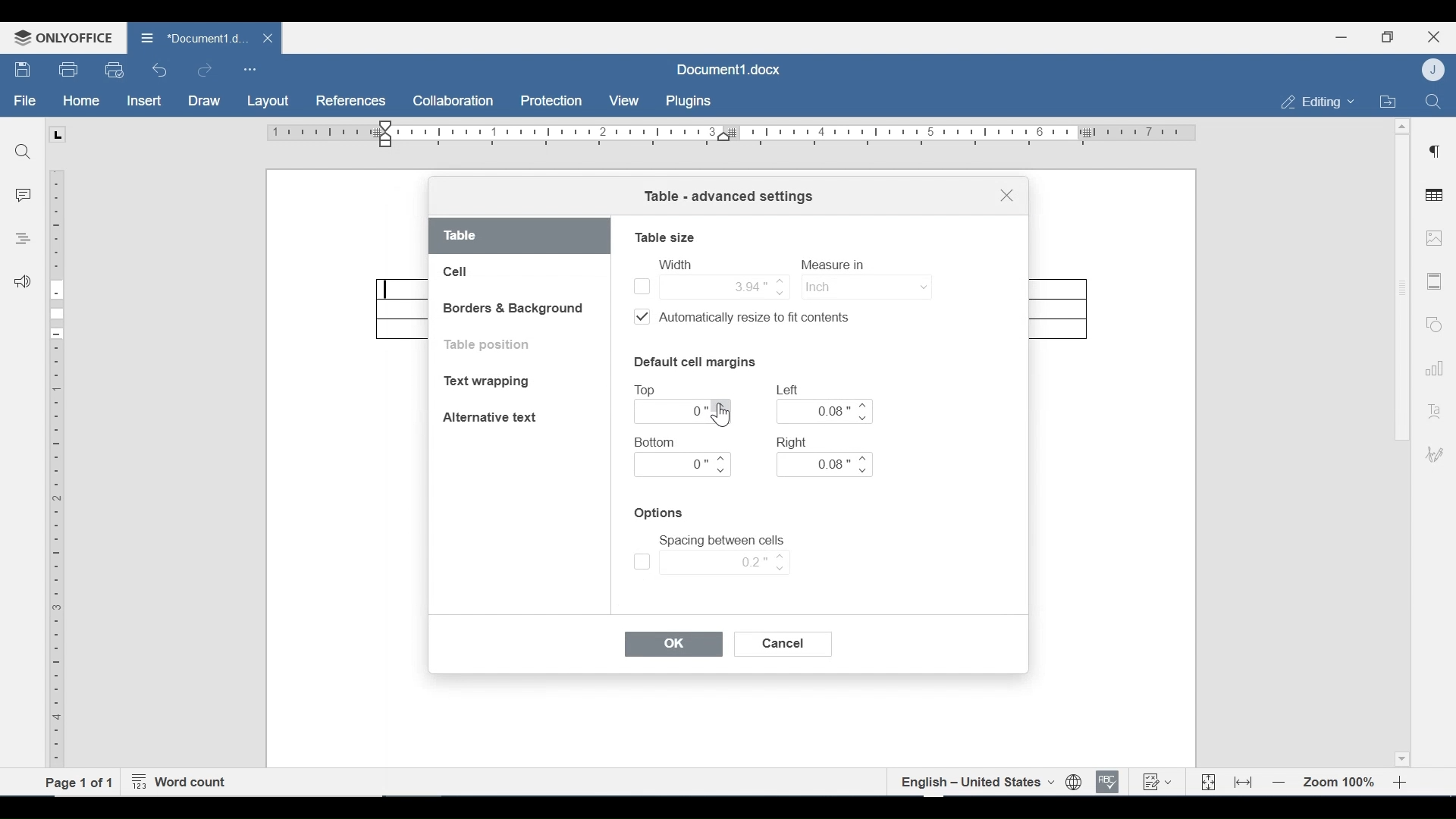  What do you see at coordinates (1279, 783) in the screenshot?
I see `Zoom out` at bounding box center [1279, 783].